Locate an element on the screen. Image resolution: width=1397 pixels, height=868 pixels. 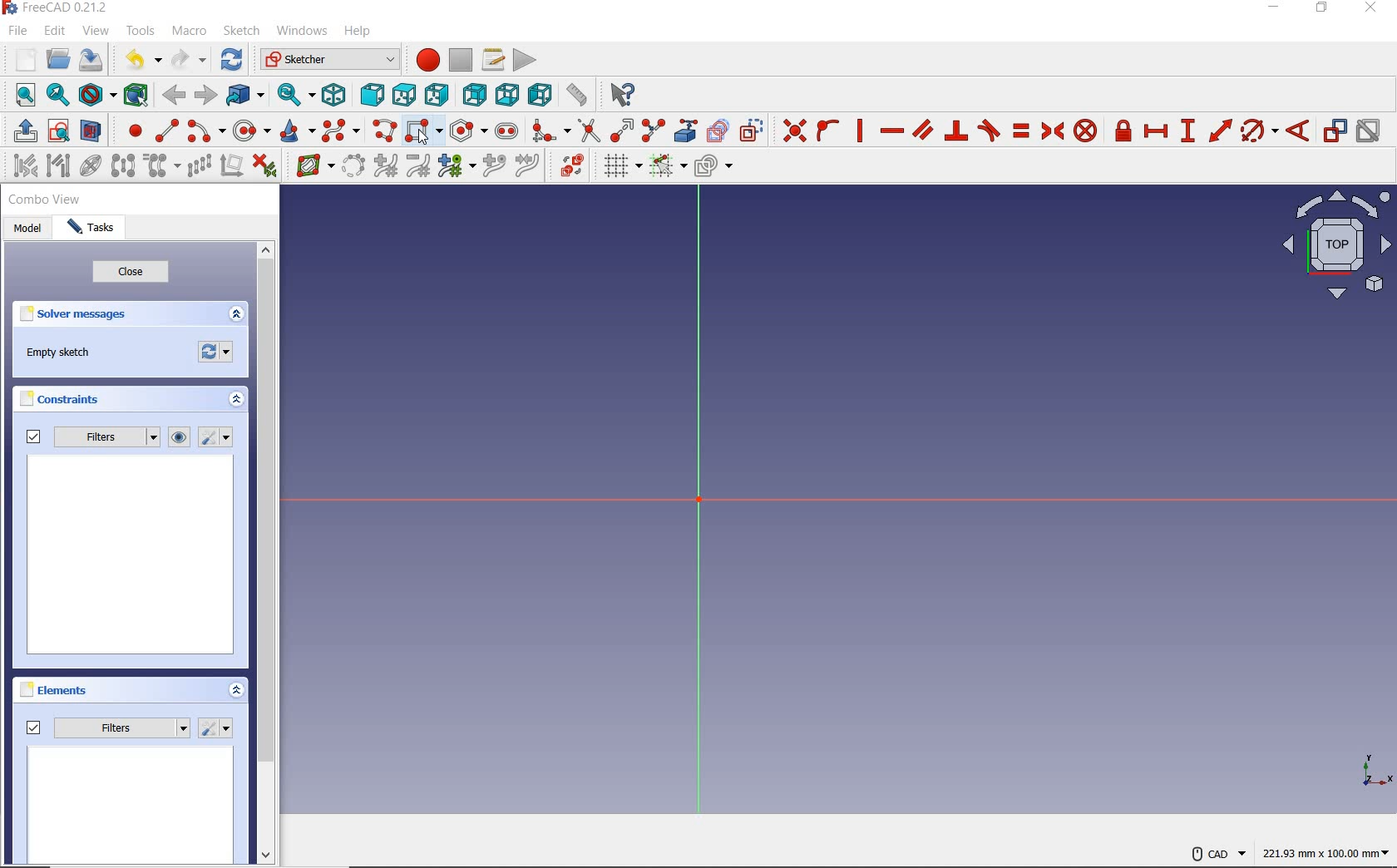
constrain vertical distance is located at coordinates (1190, 132).